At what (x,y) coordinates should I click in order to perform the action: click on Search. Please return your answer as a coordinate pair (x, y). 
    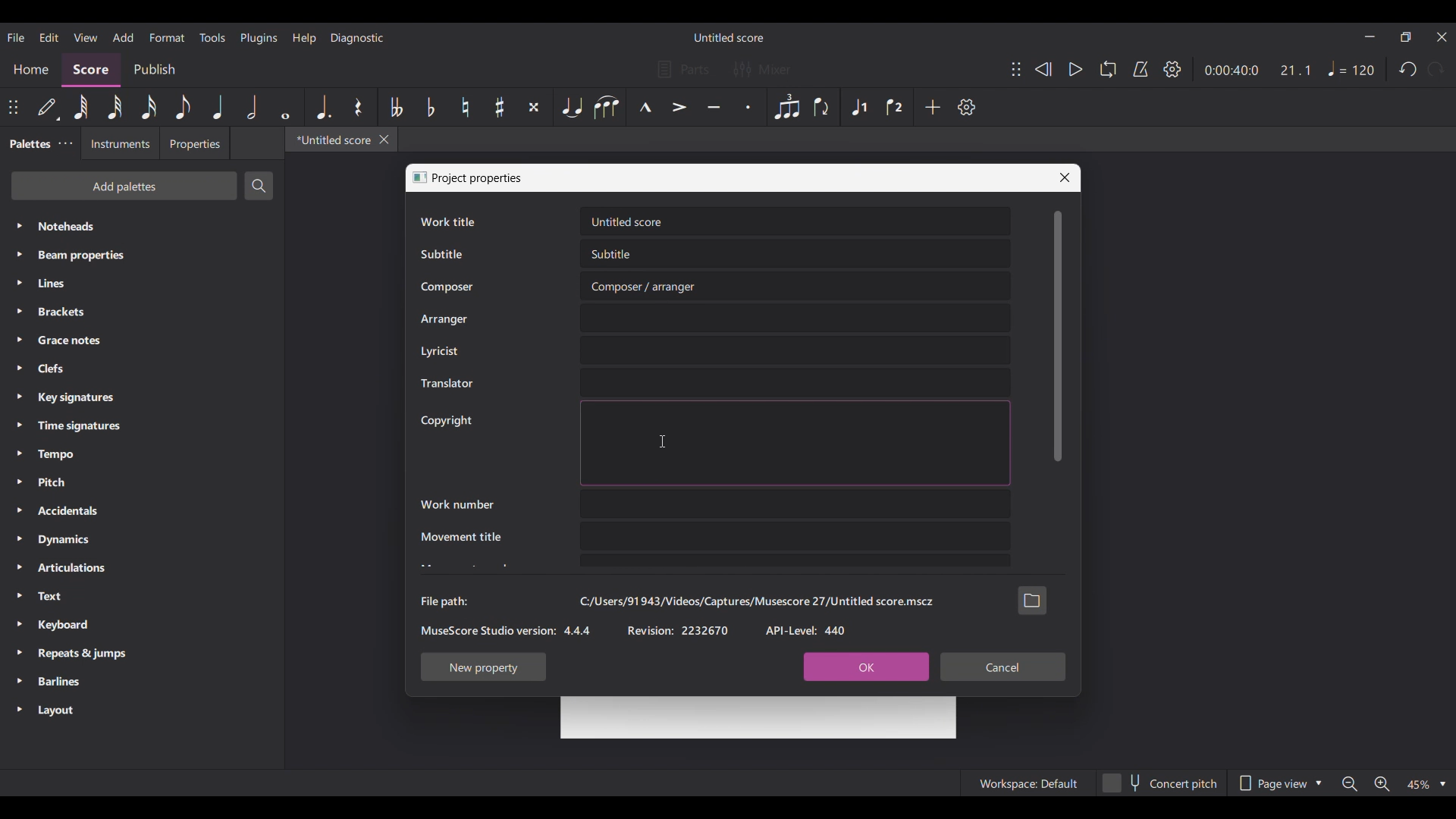
    Looking at the image, I should click on (259, 186).